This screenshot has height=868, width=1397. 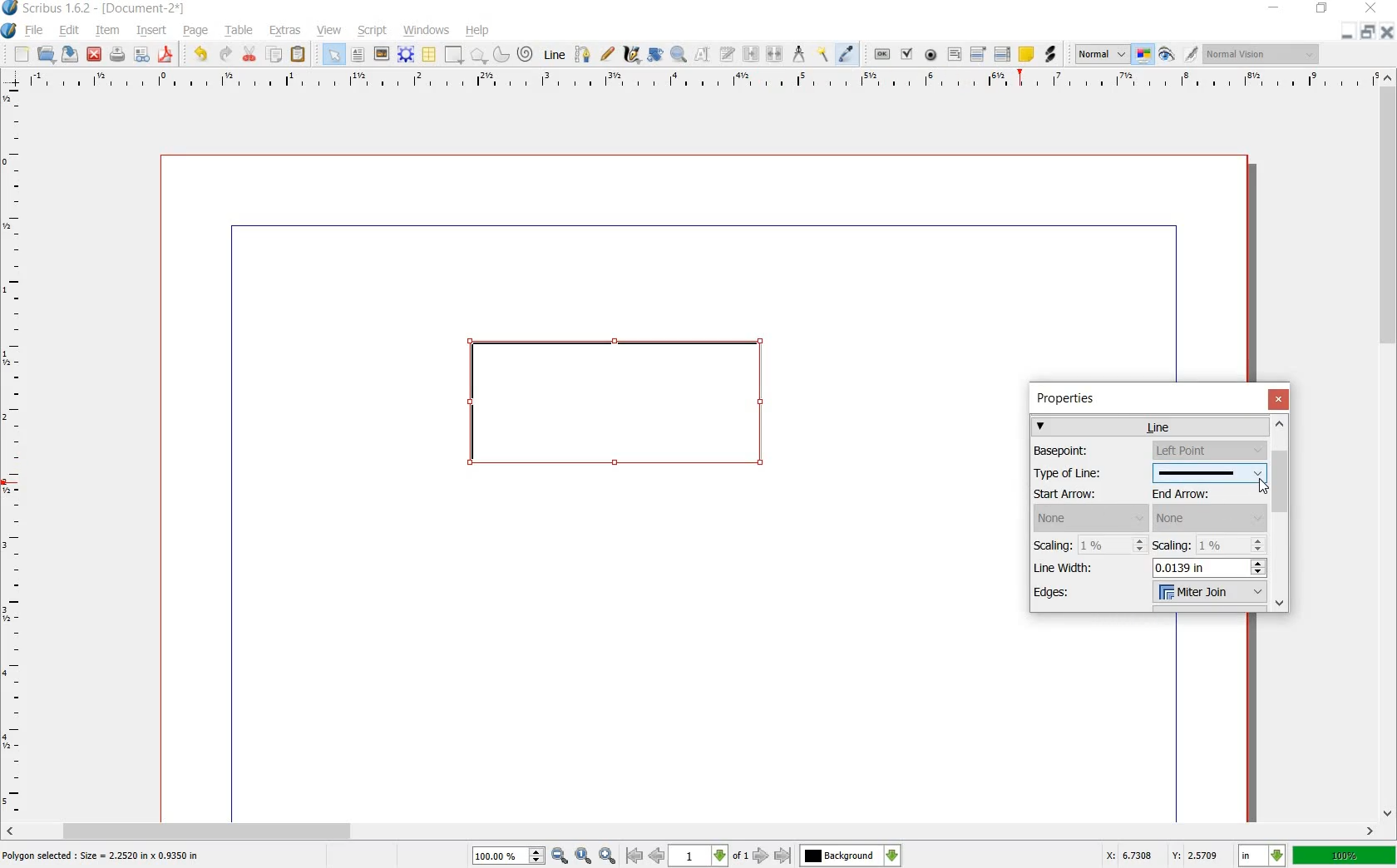 What do you see at coordinates (68, 31) in the screenshot?
I see `EDIT` at bounding box center [68, 31].